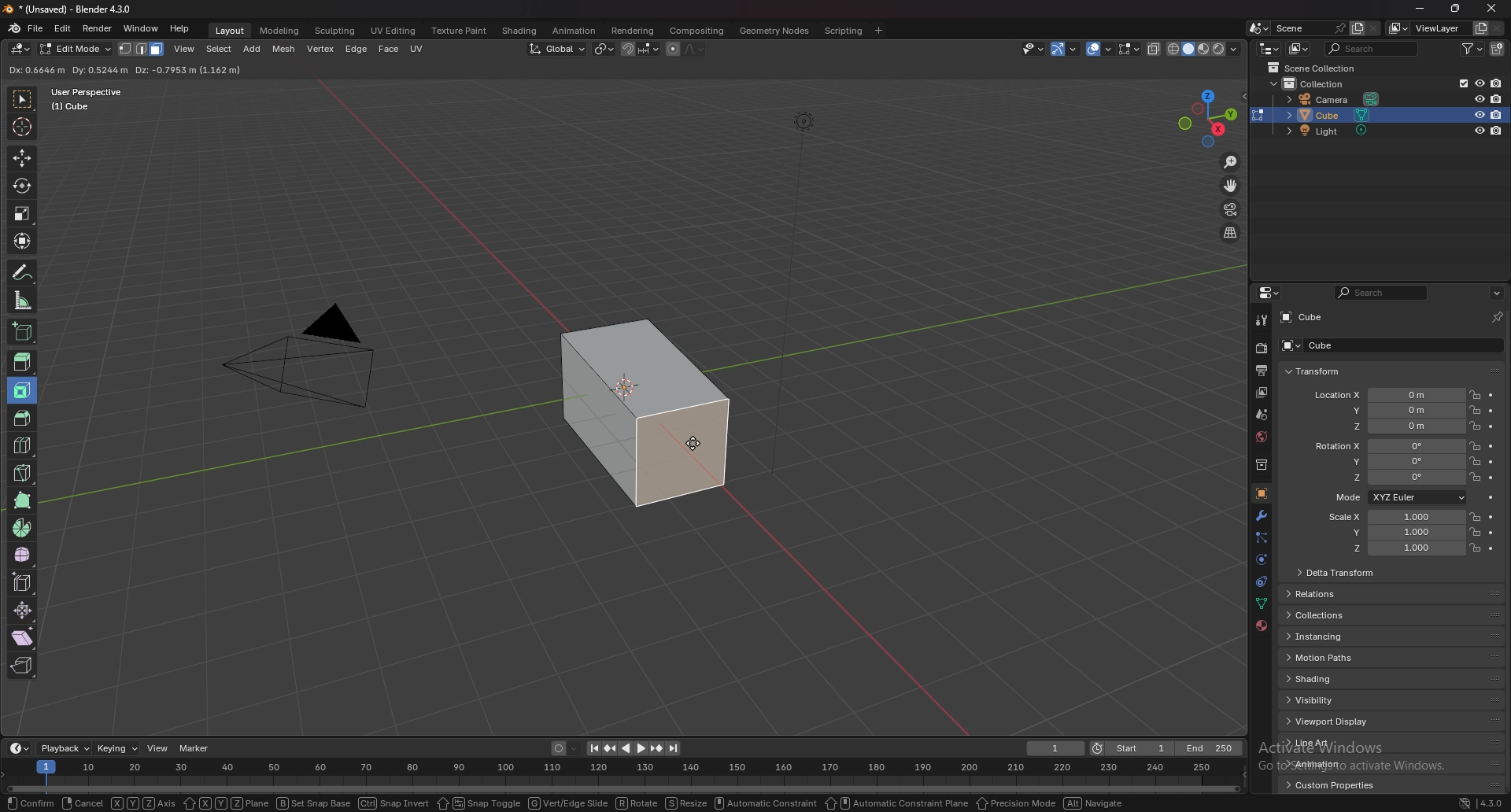  Describe the element at coordinates (1299, 48) in the screenshot. I see `display mode` at that location.